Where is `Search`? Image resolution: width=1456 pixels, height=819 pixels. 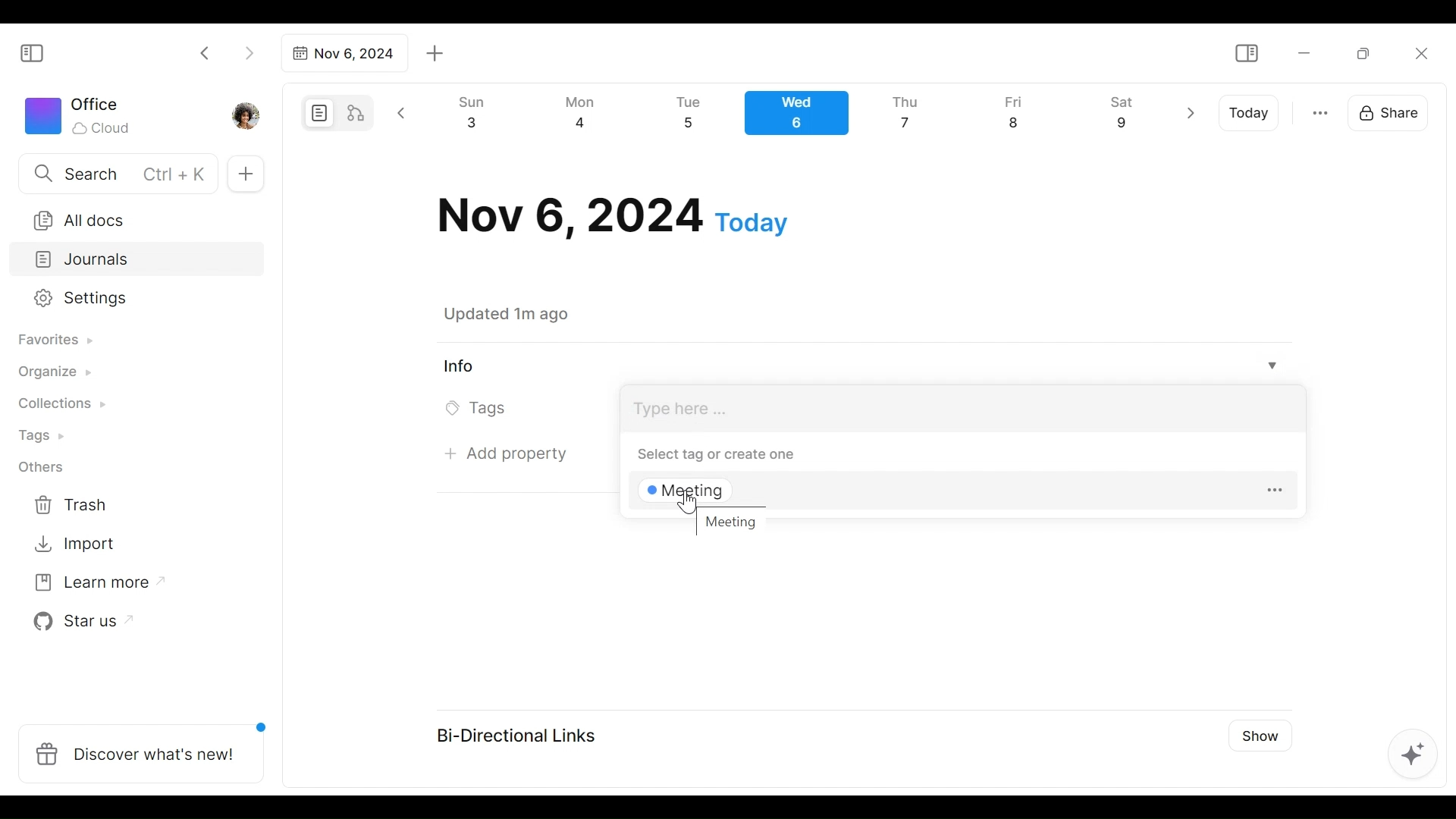 Search is located at coordinates (116, 173).